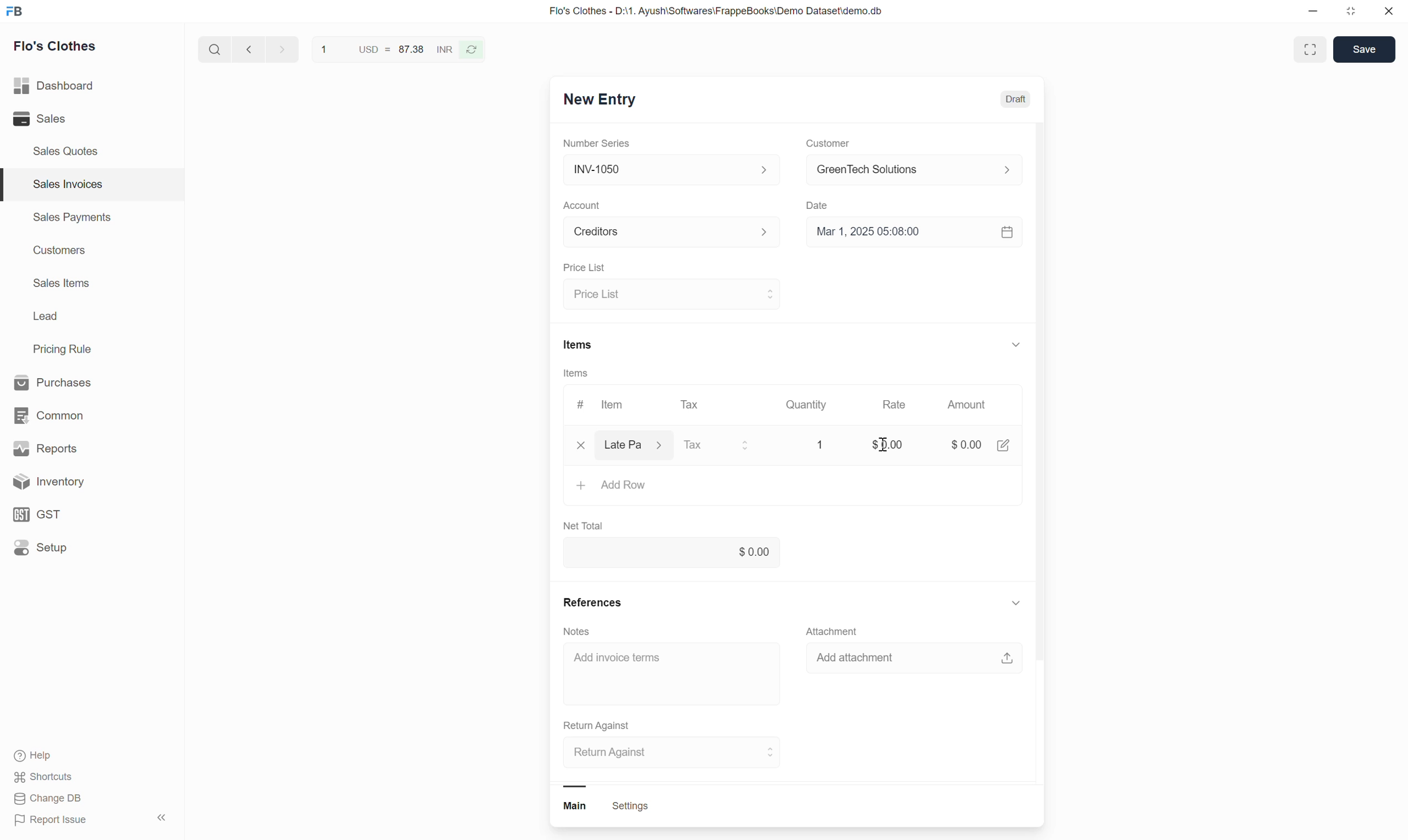  Describe the element at coordinates (671, 294) in the screenshot. I see `select price list ` at that location.